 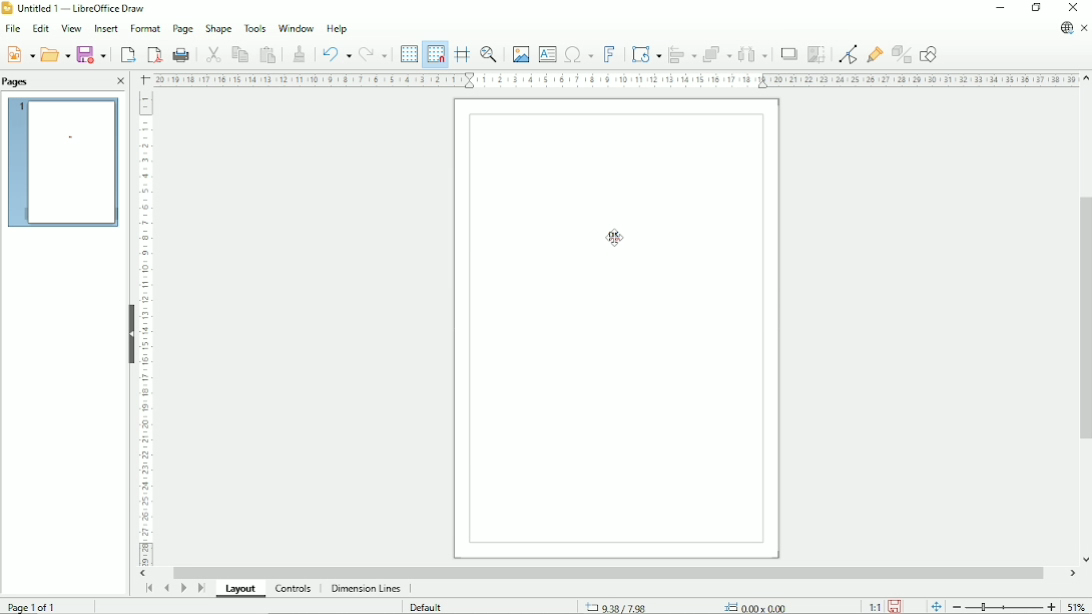 I want to click on 9.38x7.98, so click(x=617, y=606).